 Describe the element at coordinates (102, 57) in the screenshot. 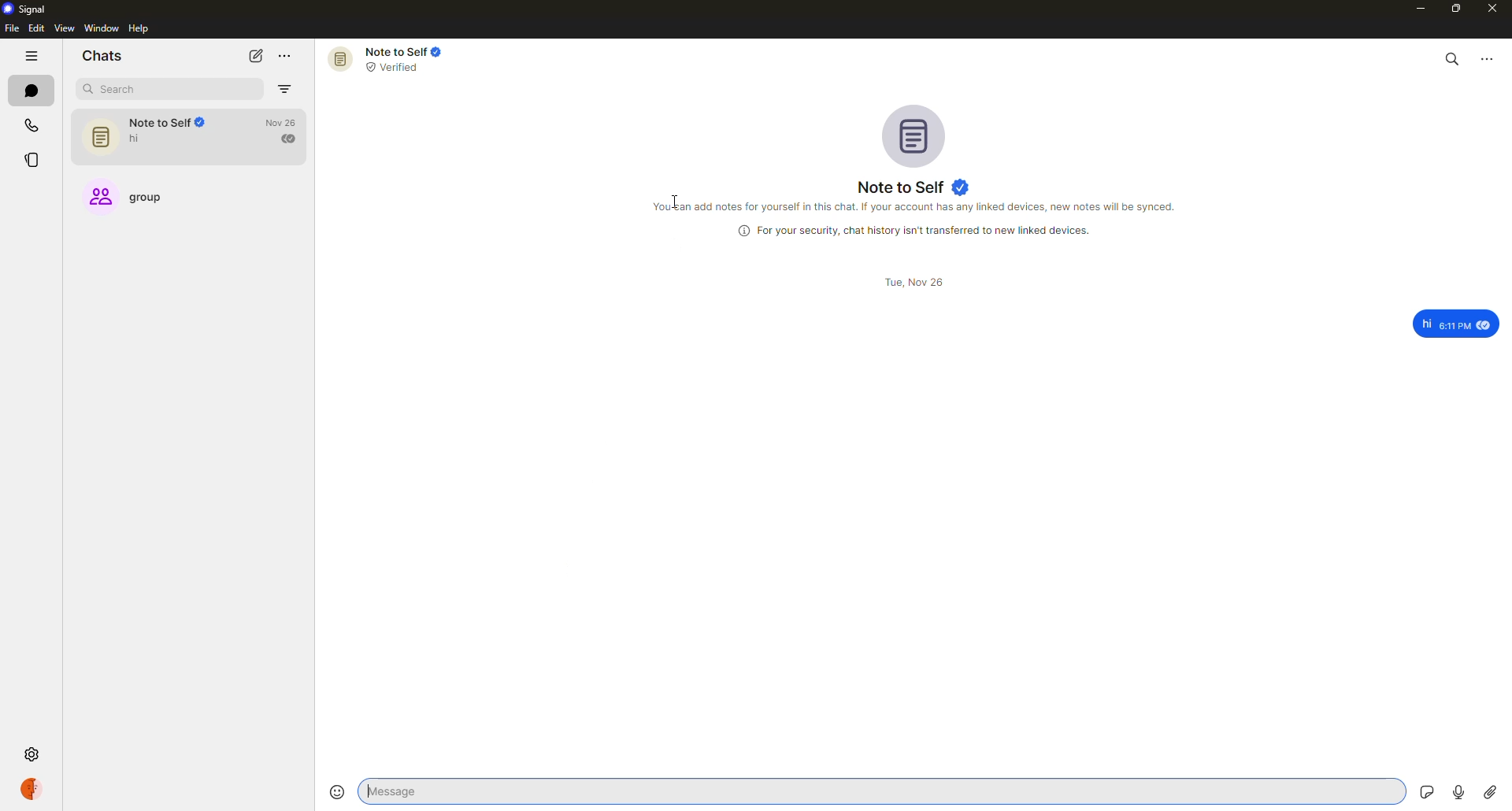

I see `chats` at that location.